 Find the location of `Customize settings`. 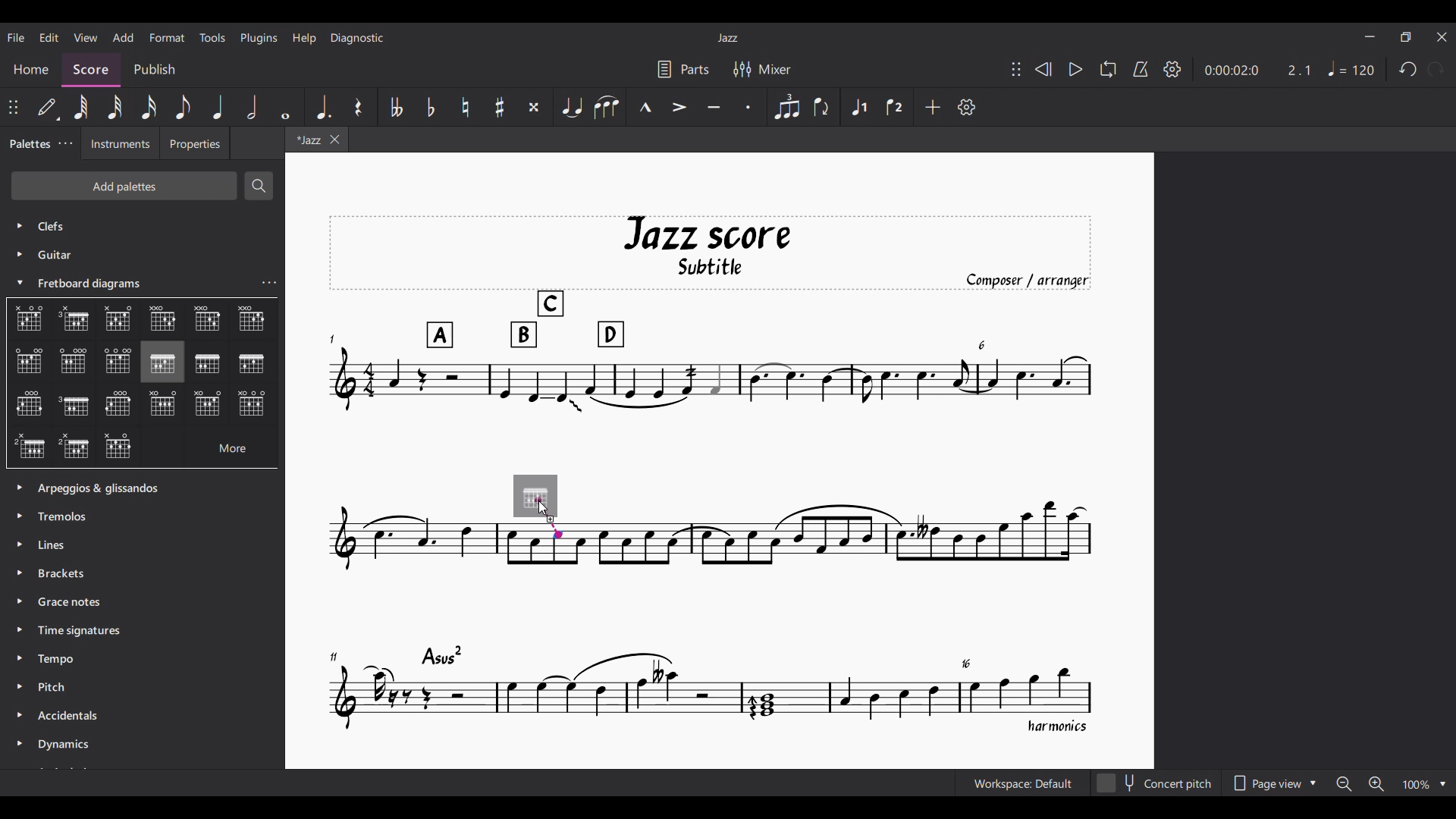

Customize settings is located at coordinates (967, 107).